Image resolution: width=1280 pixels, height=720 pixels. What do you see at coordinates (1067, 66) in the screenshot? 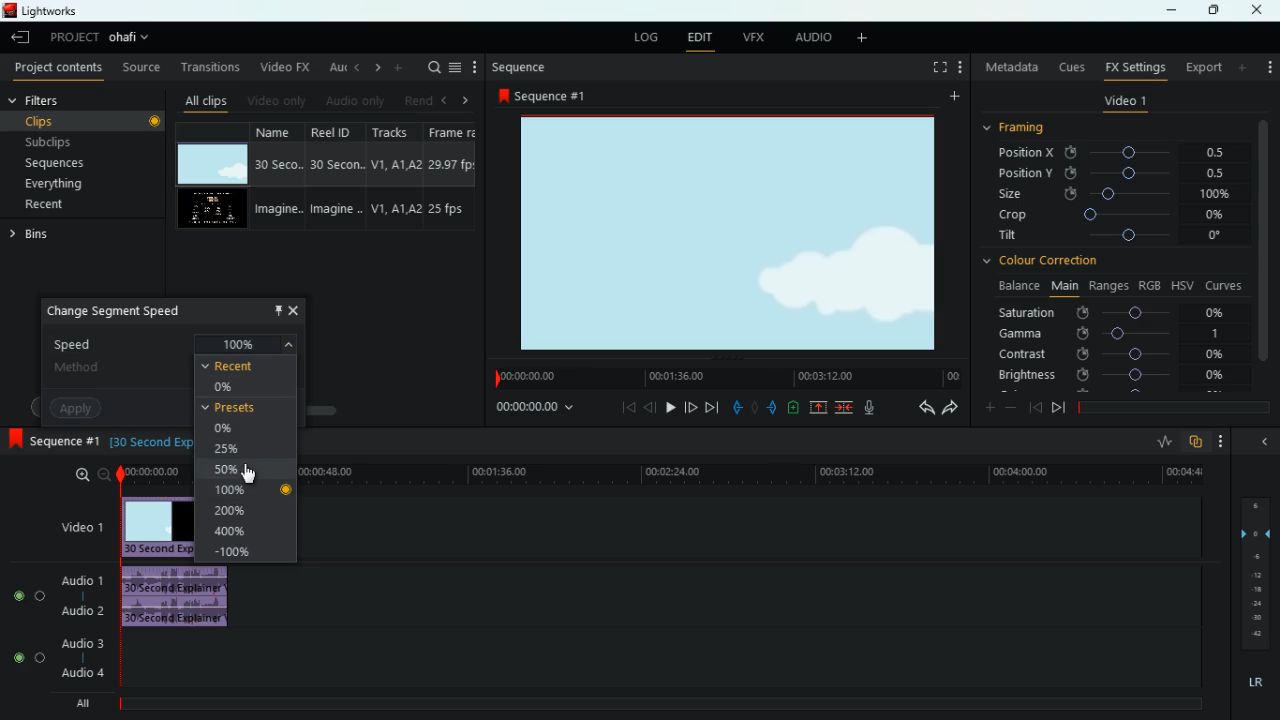
I see `cues` at bounding box center [1067, 66].